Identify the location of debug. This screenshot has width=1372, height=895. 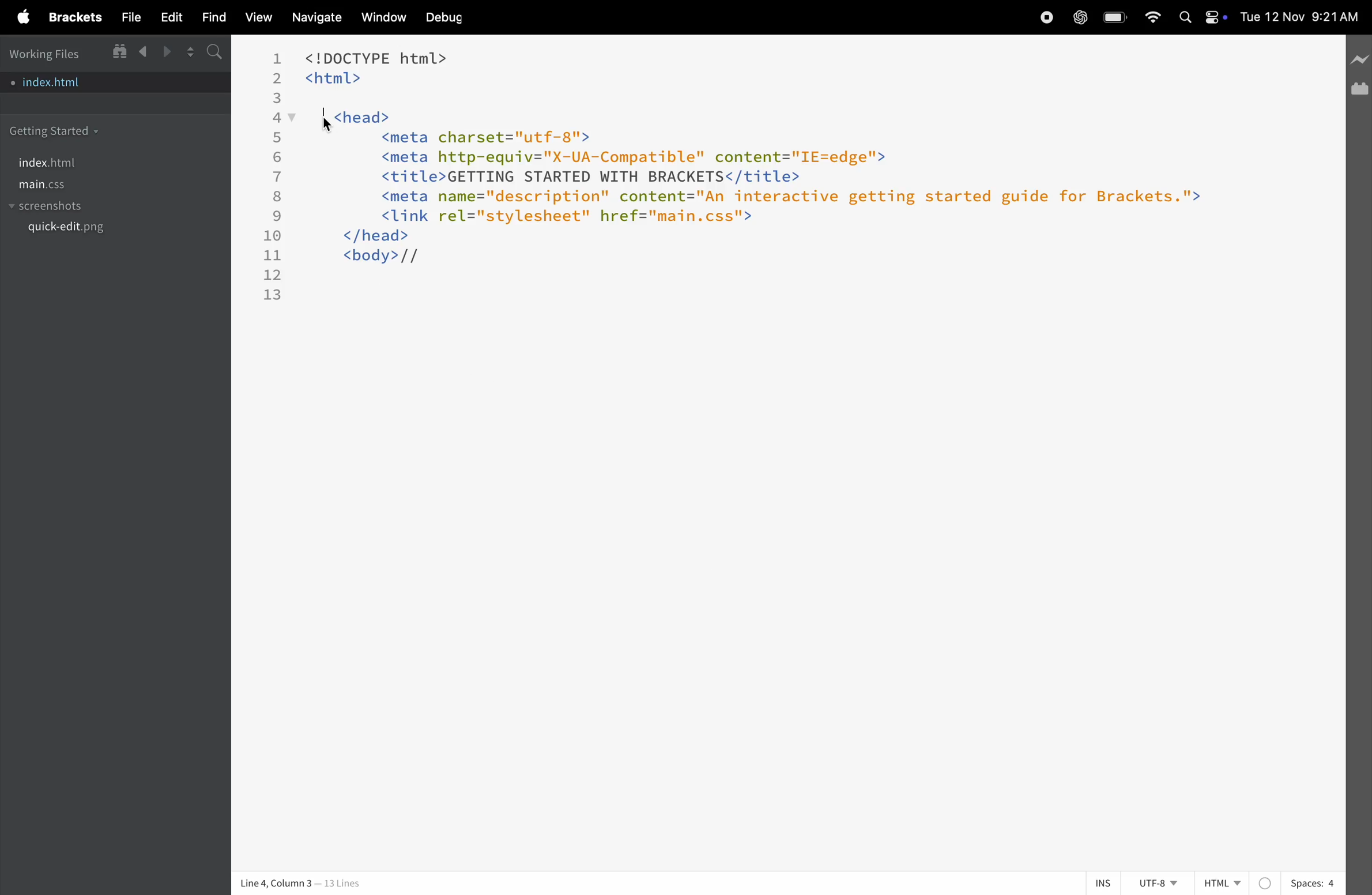
(451, 16).